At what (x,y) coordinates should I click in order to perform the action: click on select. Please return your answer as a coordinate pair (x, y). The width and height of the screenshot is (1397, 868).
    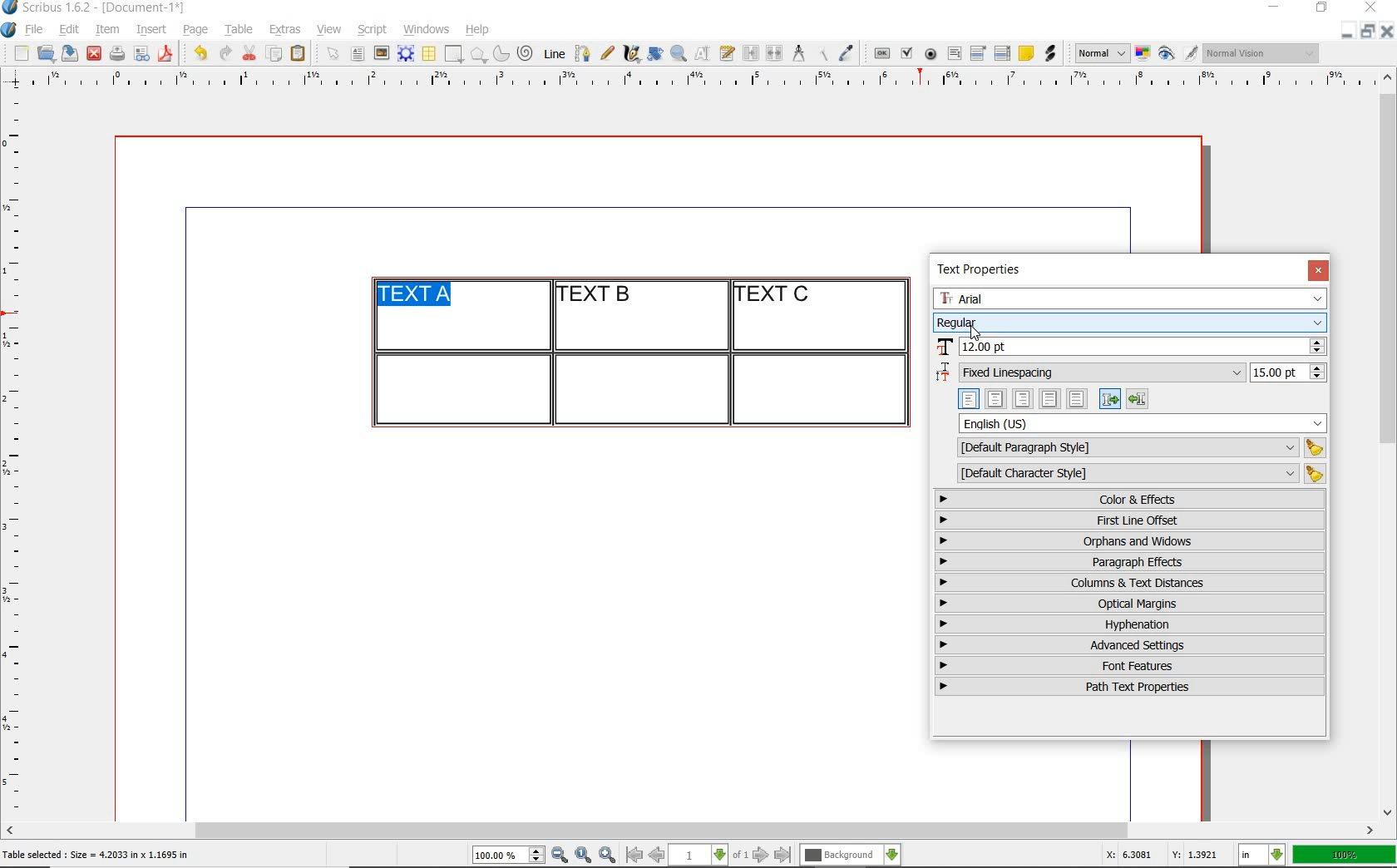
    Looking at the image, I should click on (334, 55).